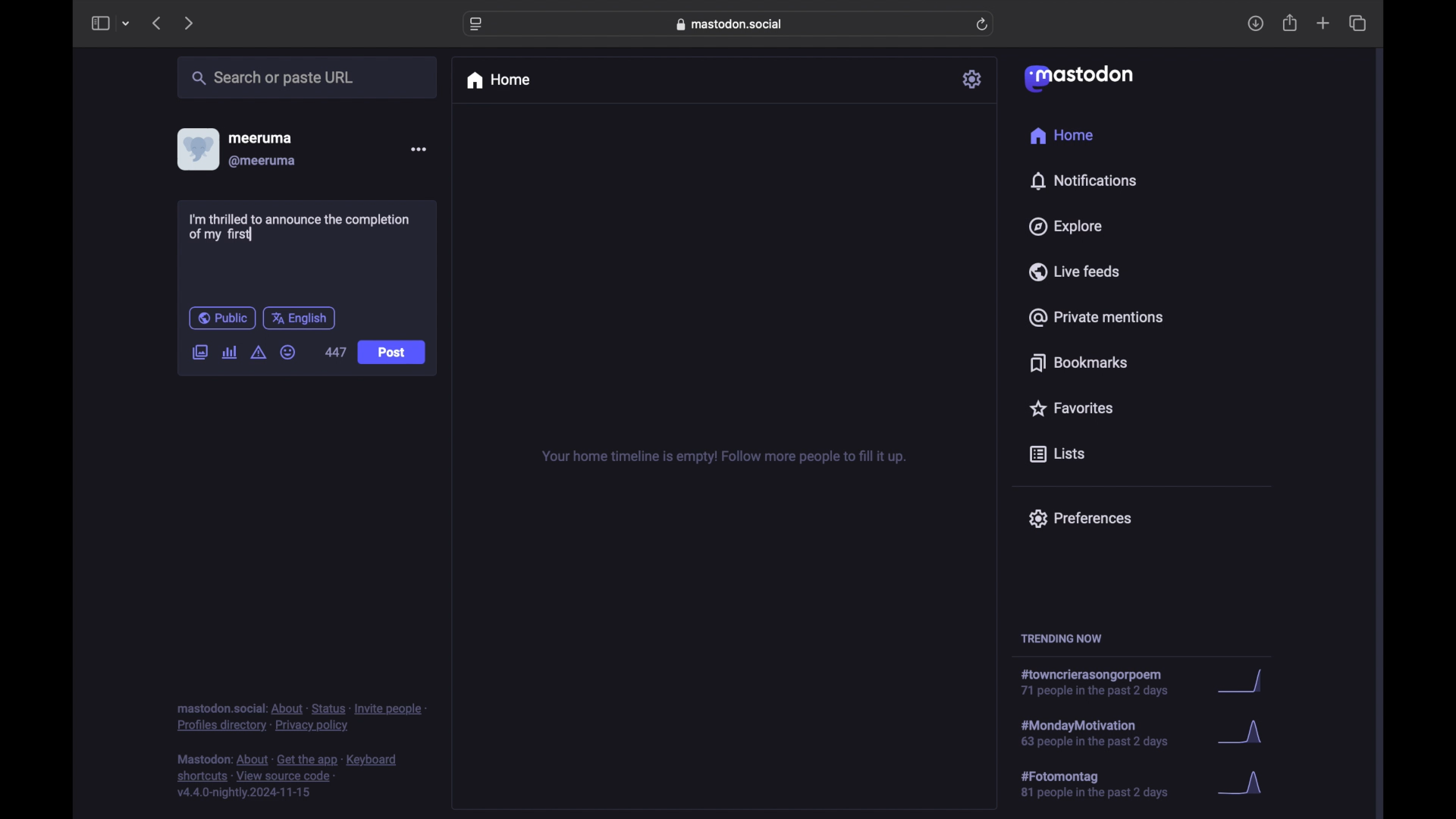  I want to click on public, so click(222, 318).